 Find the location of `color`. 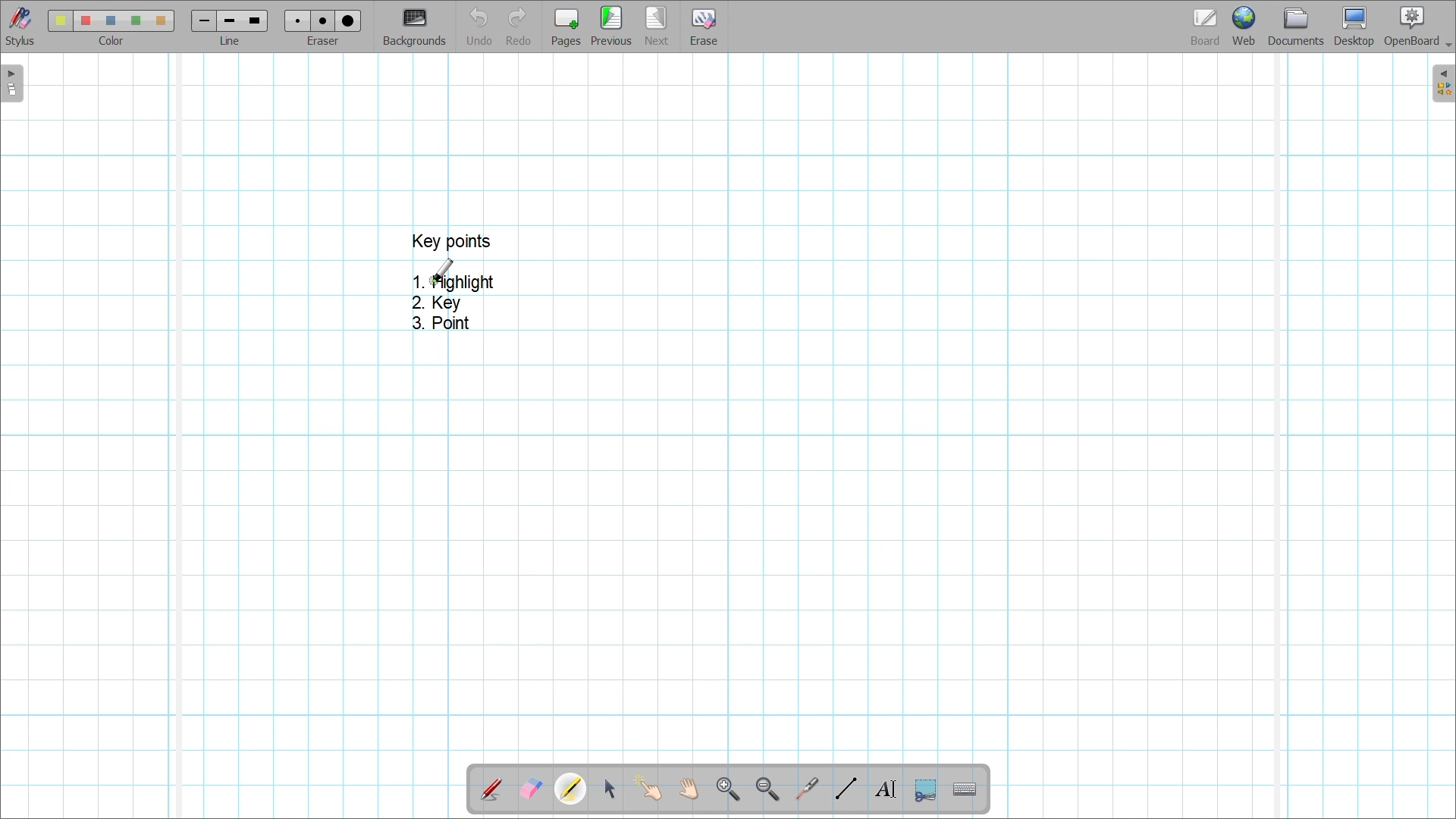

color is located at coordinates (108, 41).